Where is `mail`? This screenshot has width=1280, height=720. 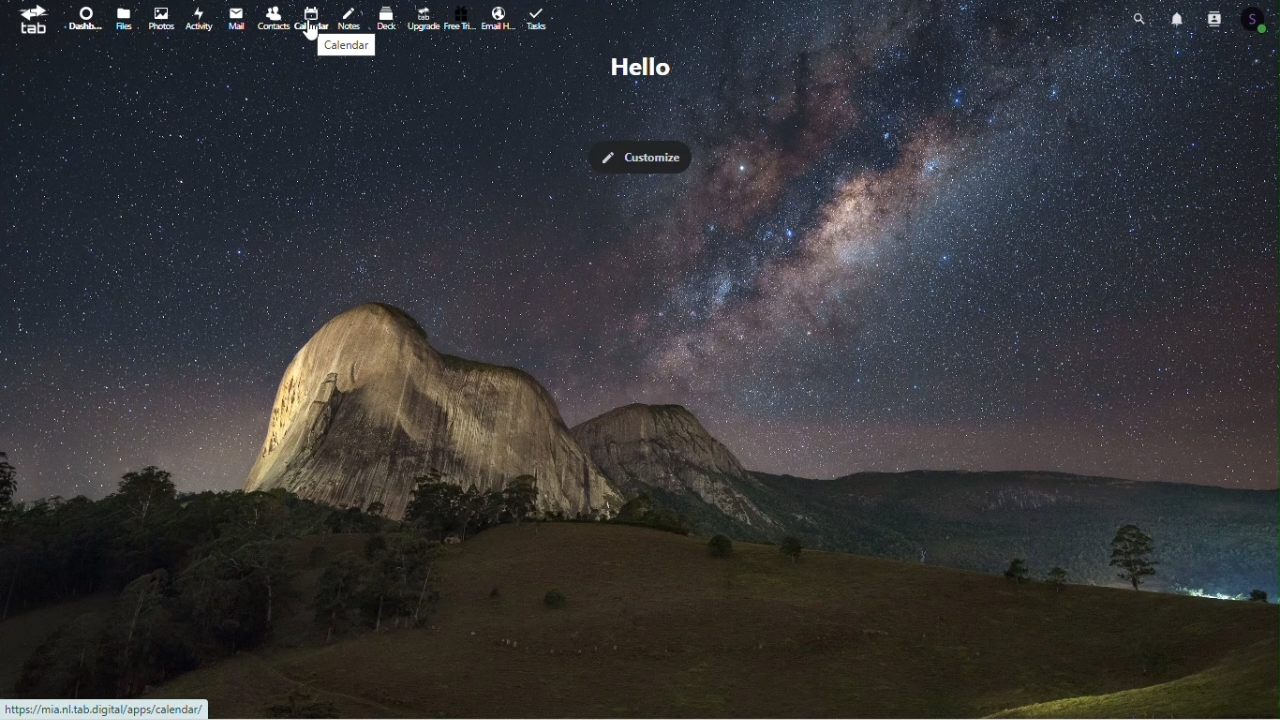 mail is located at coordinates (234, 20).